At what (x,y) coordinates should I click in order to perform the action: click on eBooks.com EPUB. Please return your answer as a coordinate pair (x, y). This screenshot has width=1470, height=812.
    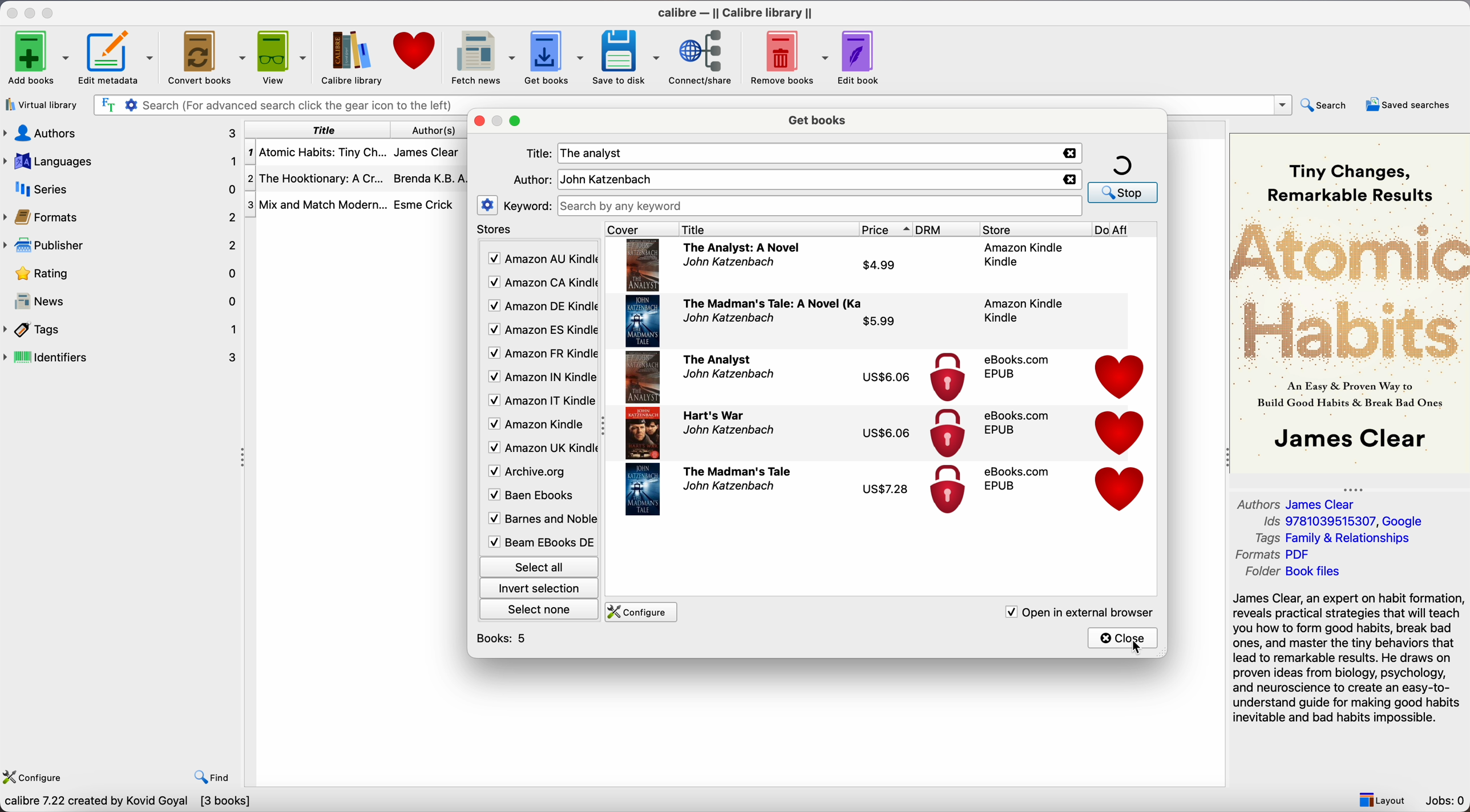
    Looking at the image, I should click on (1017, 423).